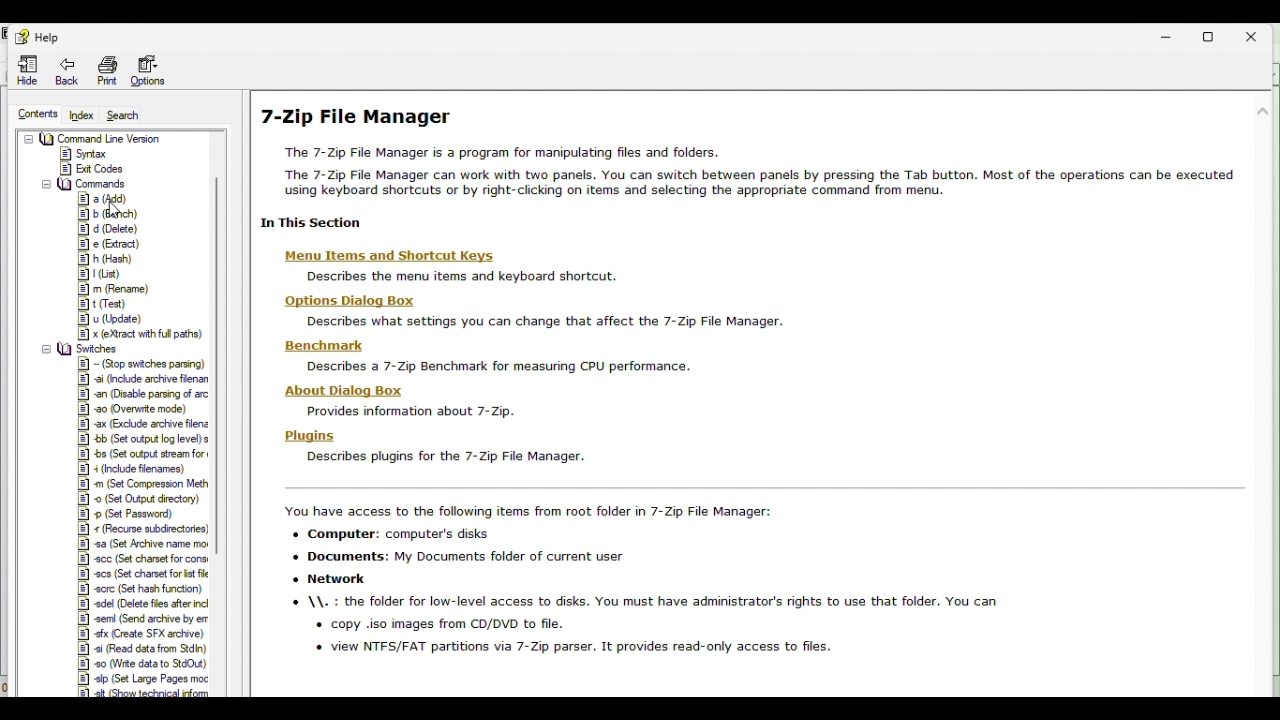  Describe the element at coordinates (144, 439) in the screenshot. I see `-bb` at that location.